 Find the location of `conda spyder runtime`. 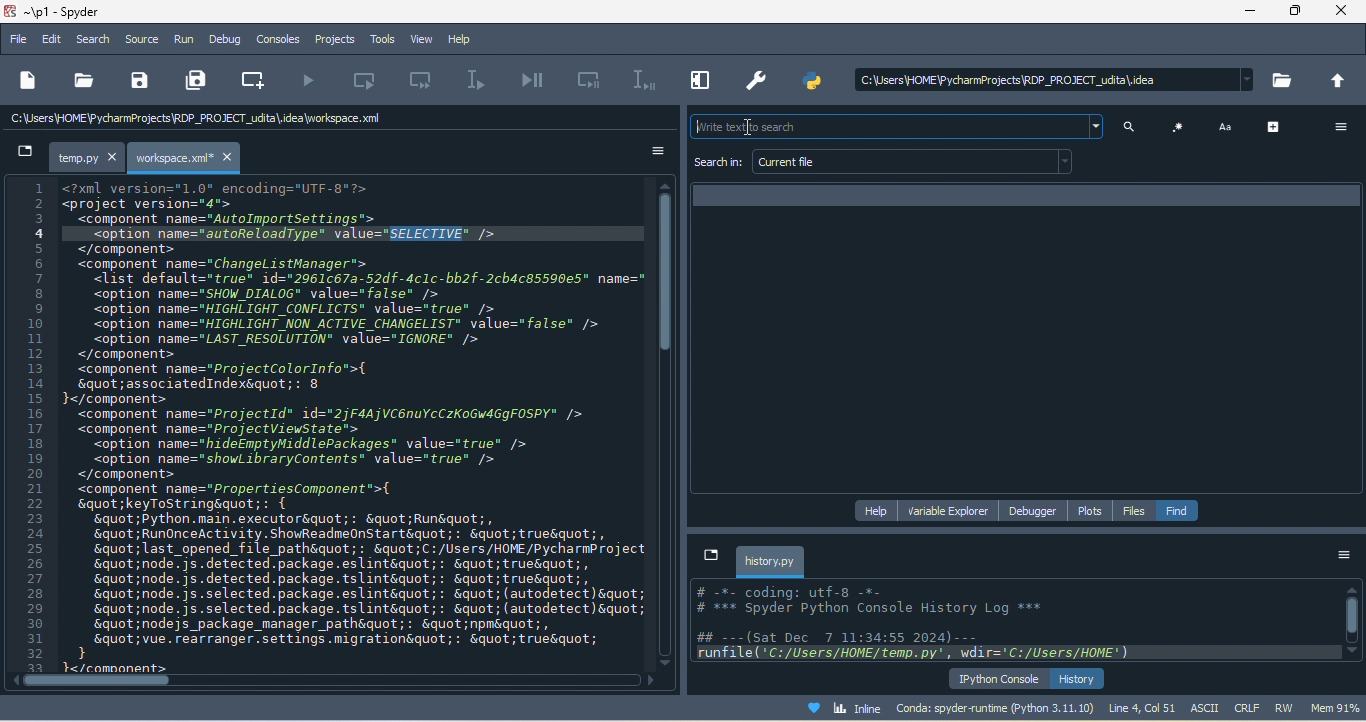

conda spyder runtime is located at coordinates (995, 708).